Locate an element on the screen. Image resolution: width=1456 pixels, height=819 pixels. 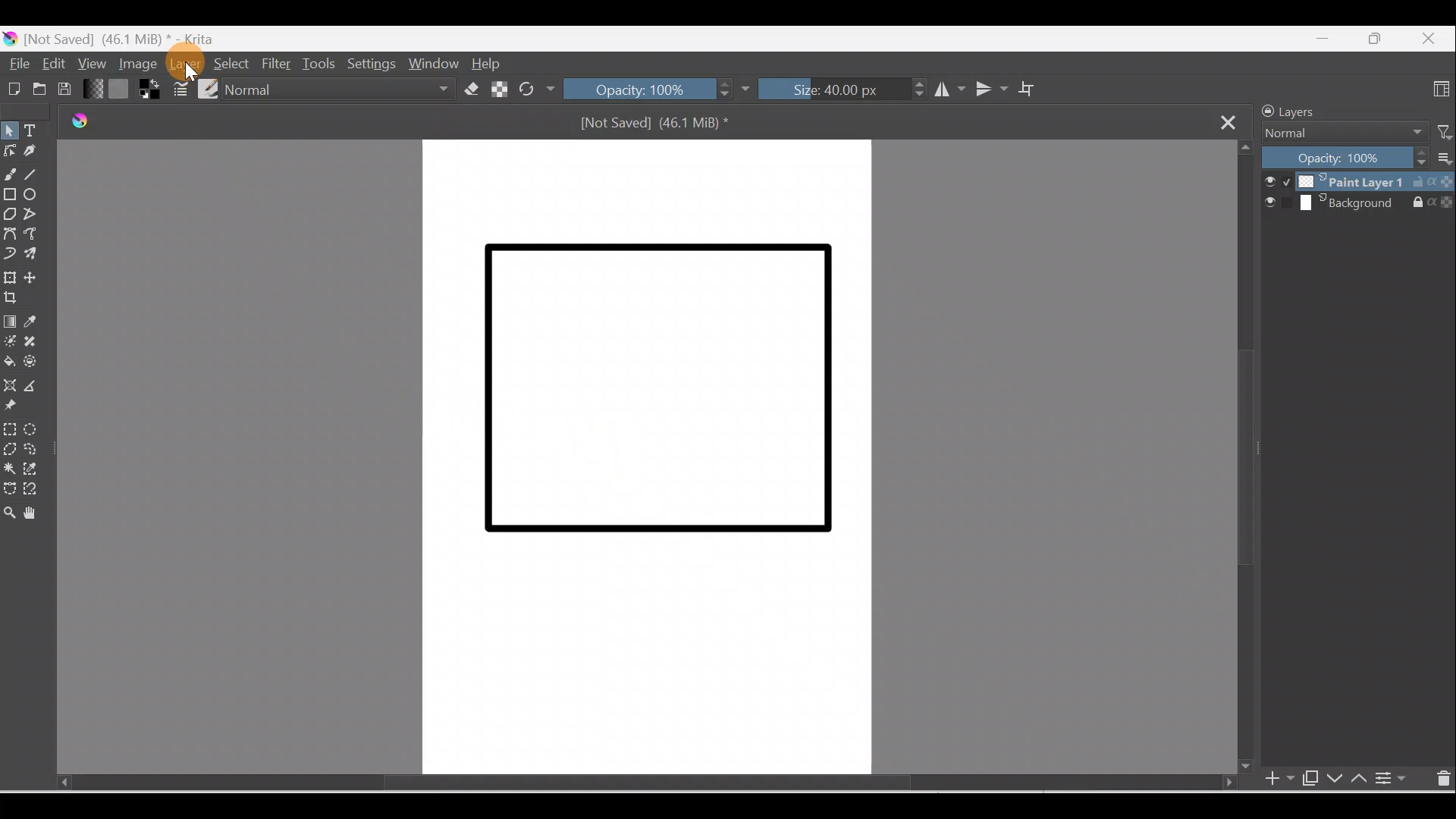
Canvas is located at coordinates (642, 458).